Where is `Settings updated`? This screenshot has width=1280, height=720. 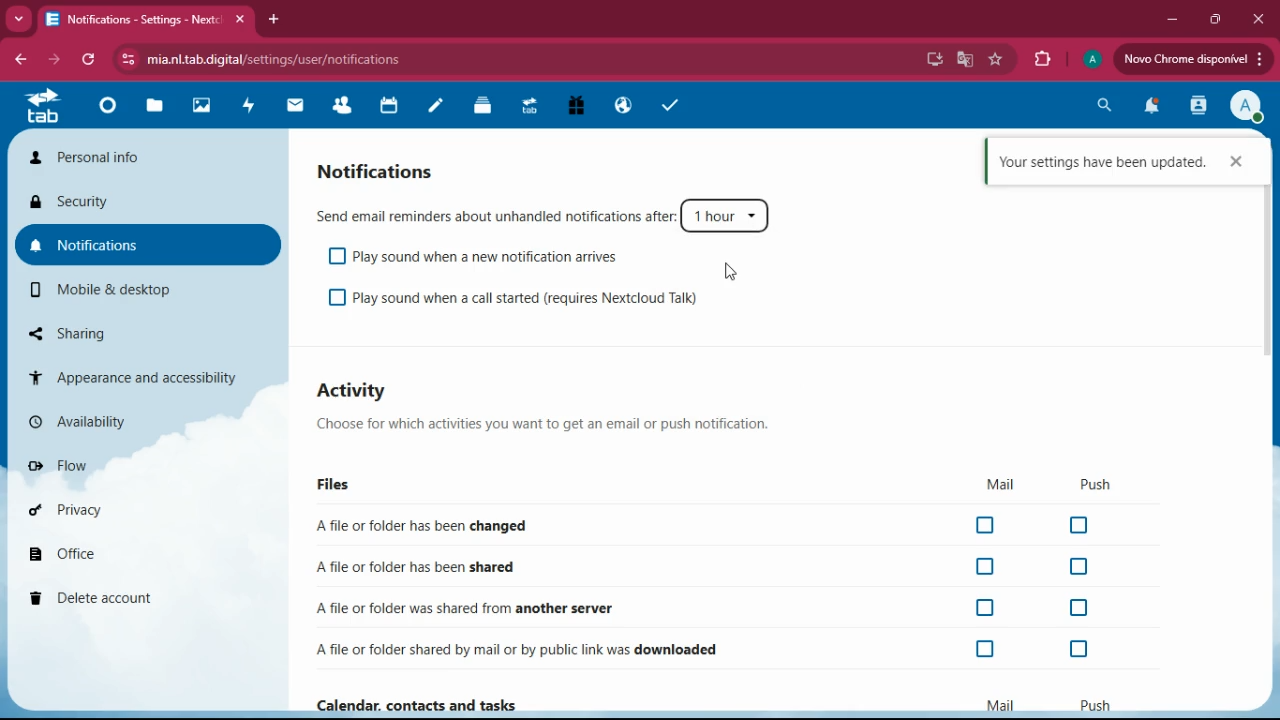
Settings updated is located at coordinates (1098, 164).